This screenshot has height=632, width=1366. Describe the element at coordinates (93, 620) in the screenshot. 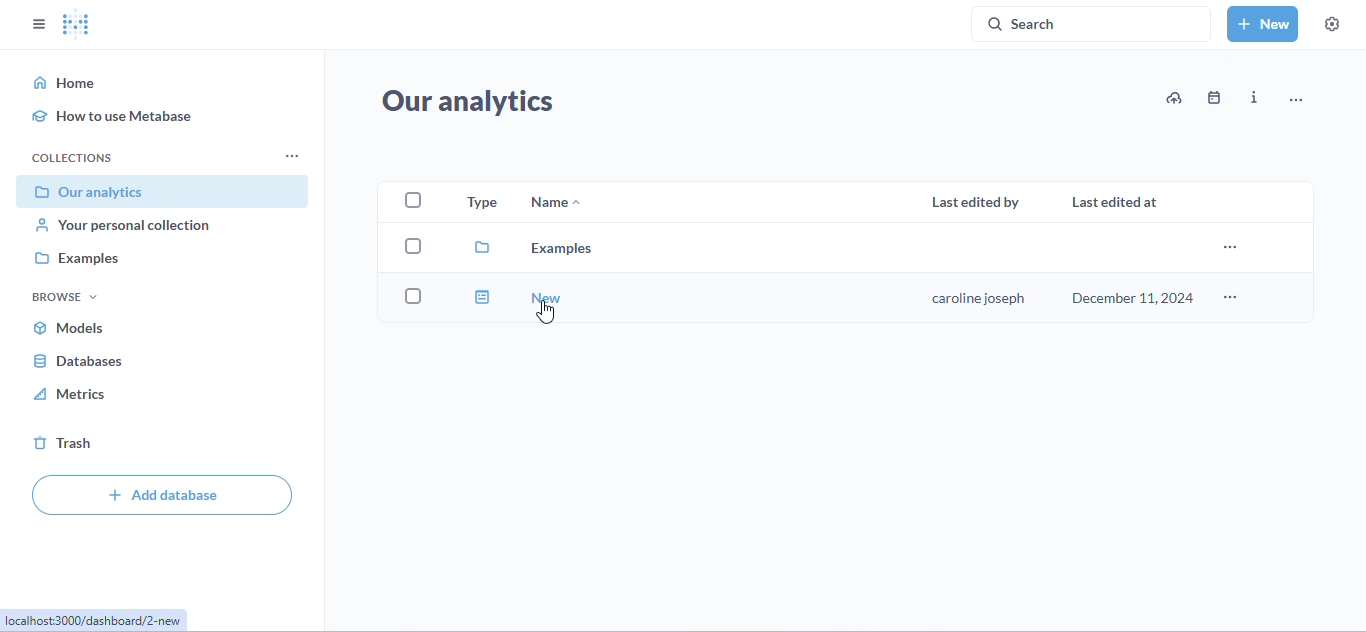

I see `link` at that location.